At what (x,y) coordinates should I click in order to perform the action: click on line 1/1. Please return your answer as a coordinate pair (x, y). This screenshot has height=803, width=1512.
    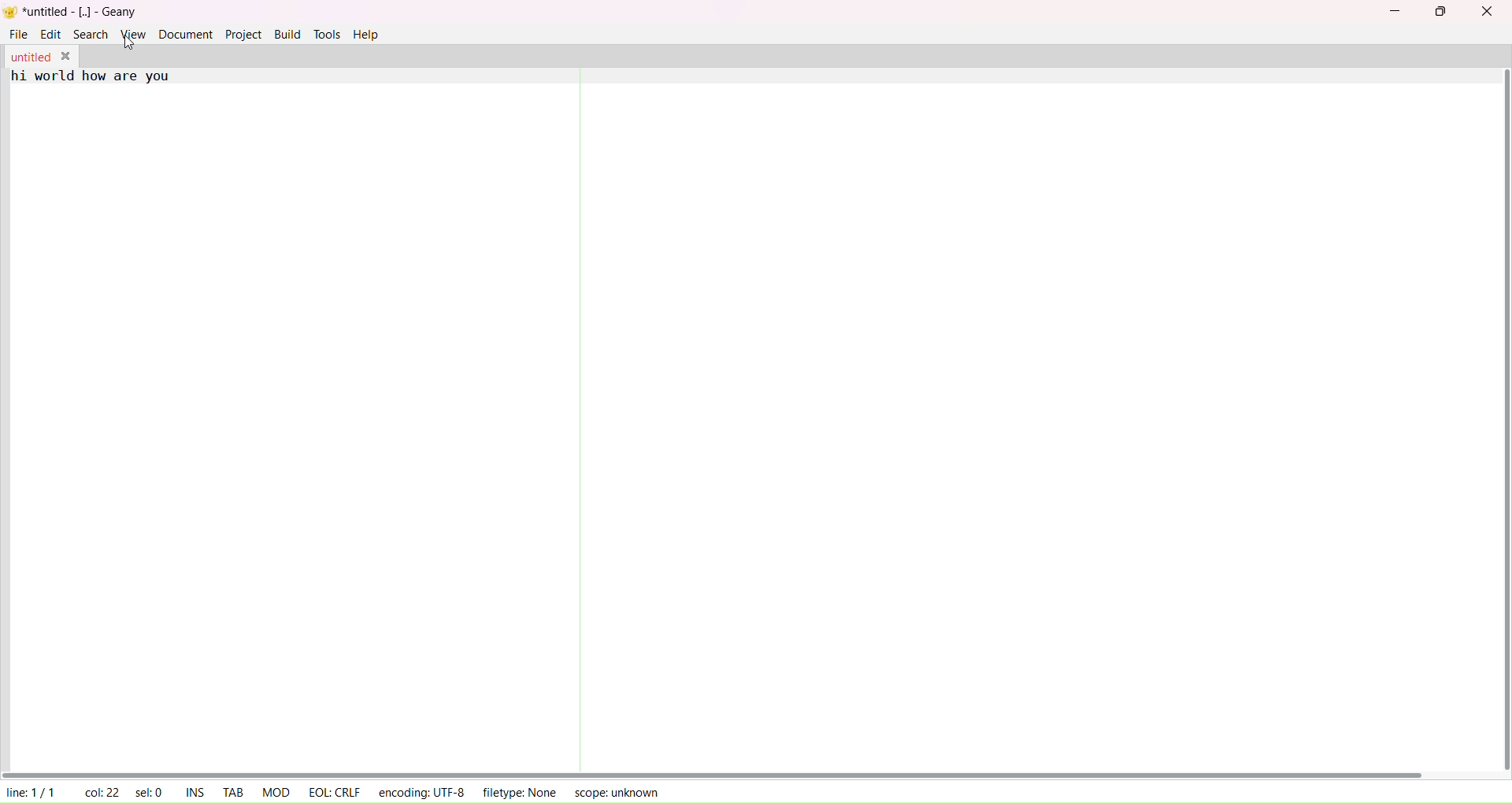
    Looking at the image, I should click on (30, 790).